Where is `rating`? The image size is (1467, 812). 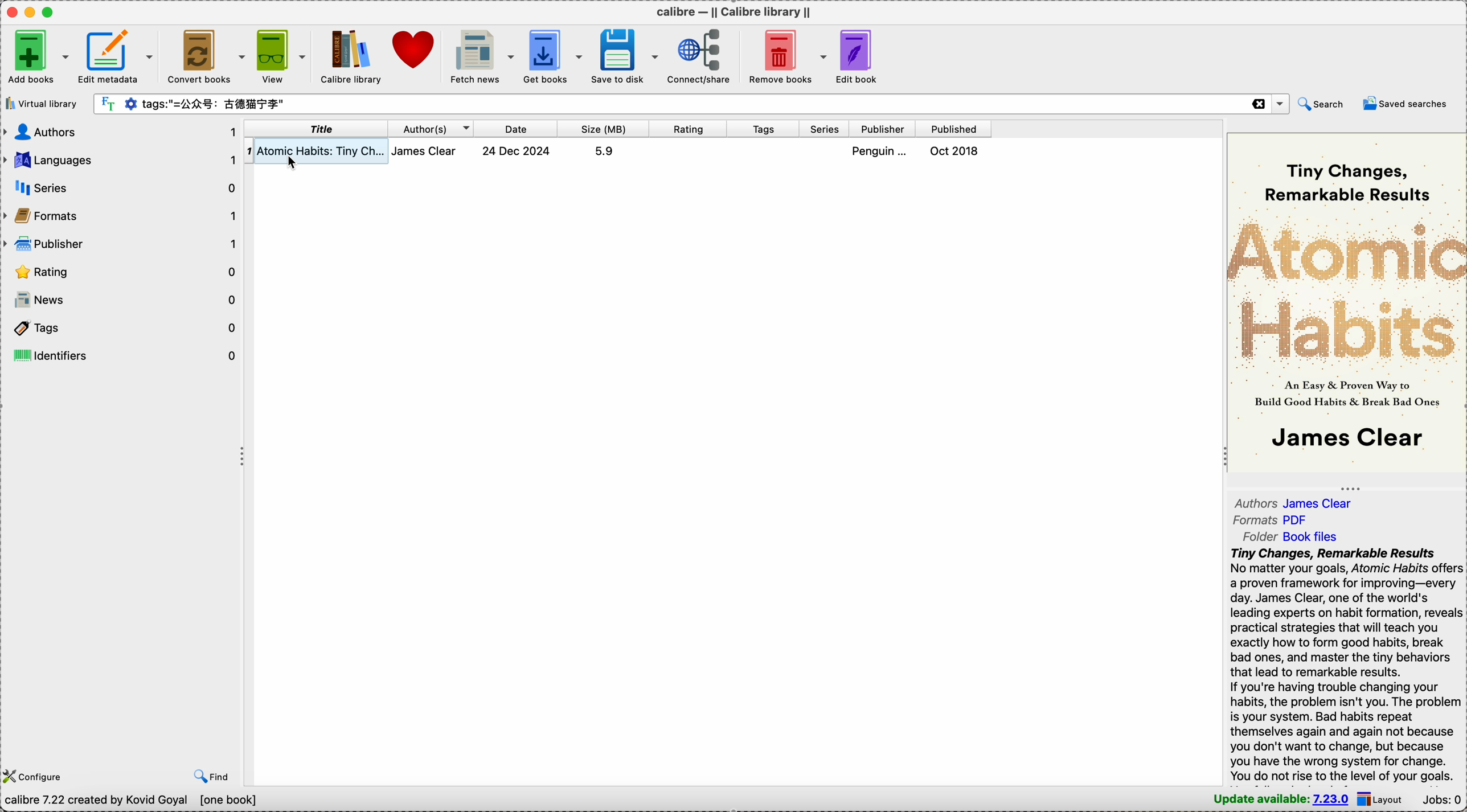 rating is located at coordinates (689, 128).